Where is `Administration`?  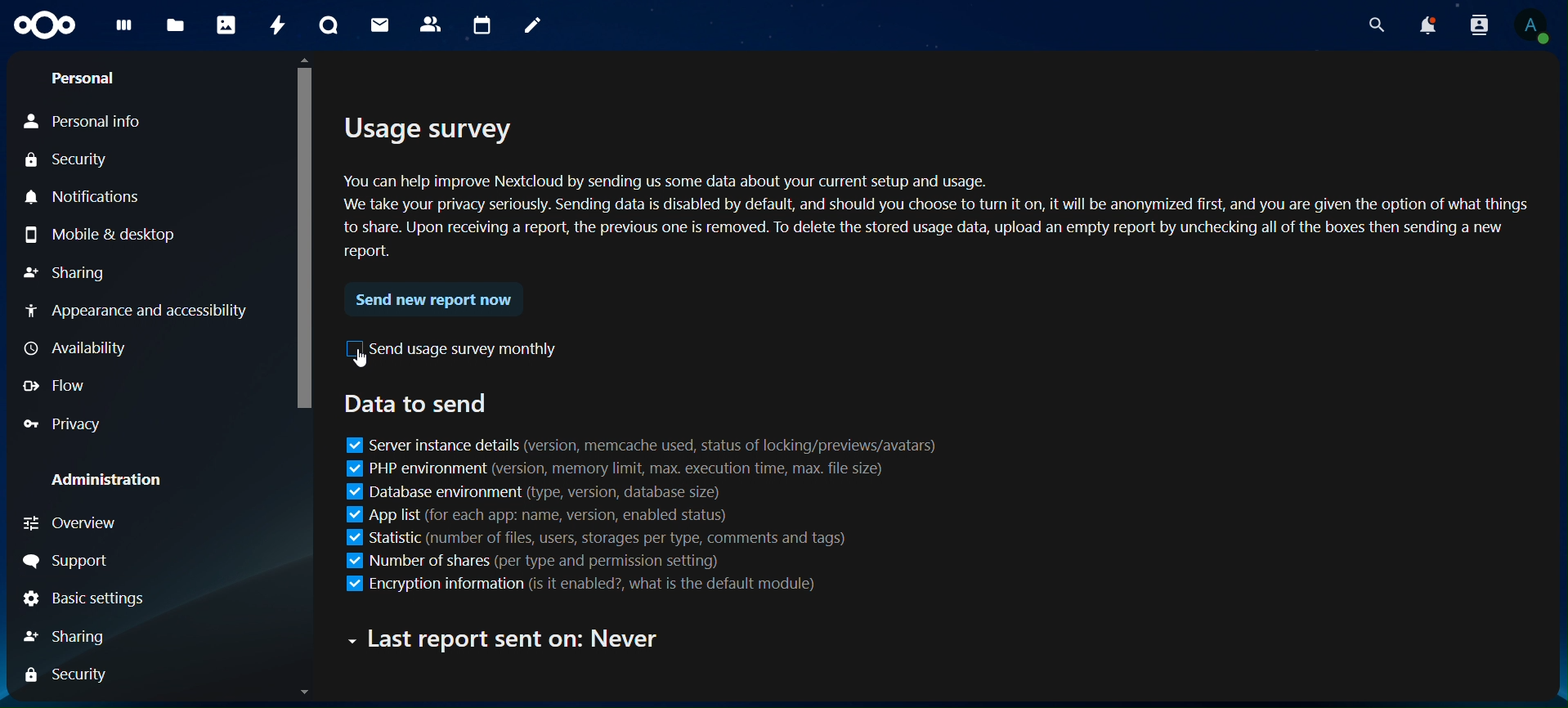
Administration is located at coordinates (110, 481).